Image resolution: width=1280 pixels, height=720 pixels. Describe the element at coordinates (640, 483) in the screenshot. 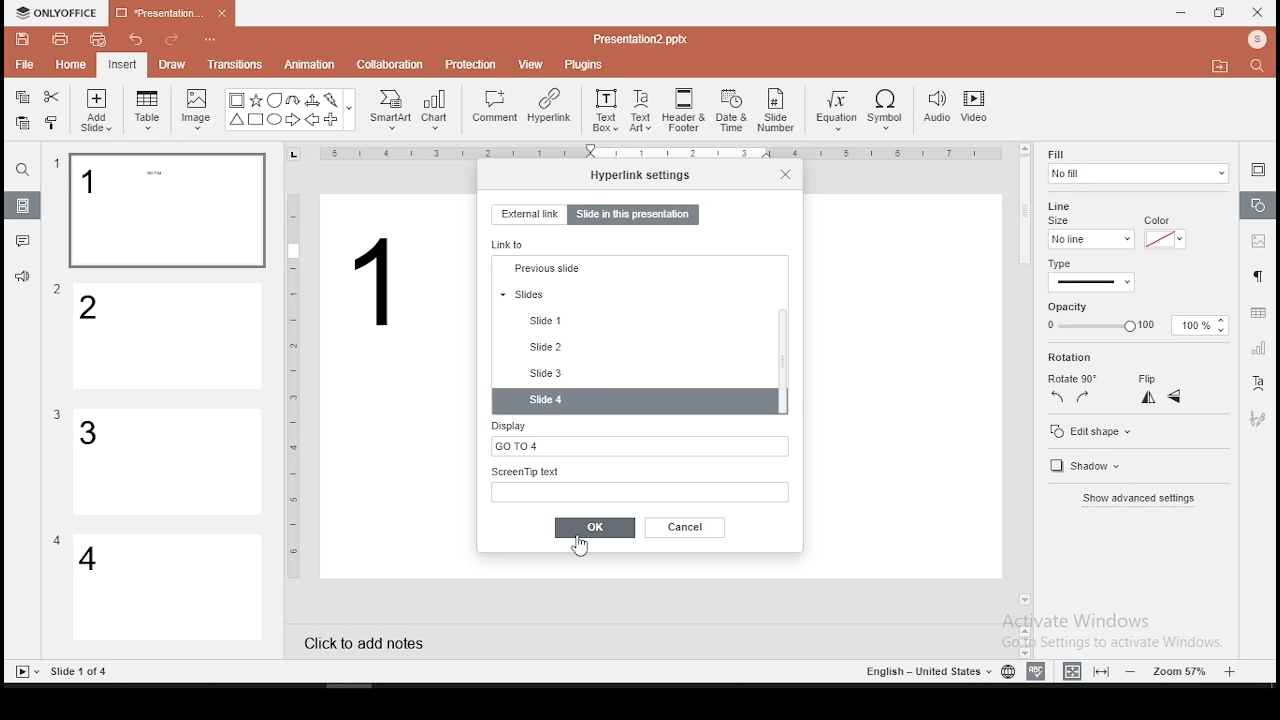

I see `screen tip text` at that location.